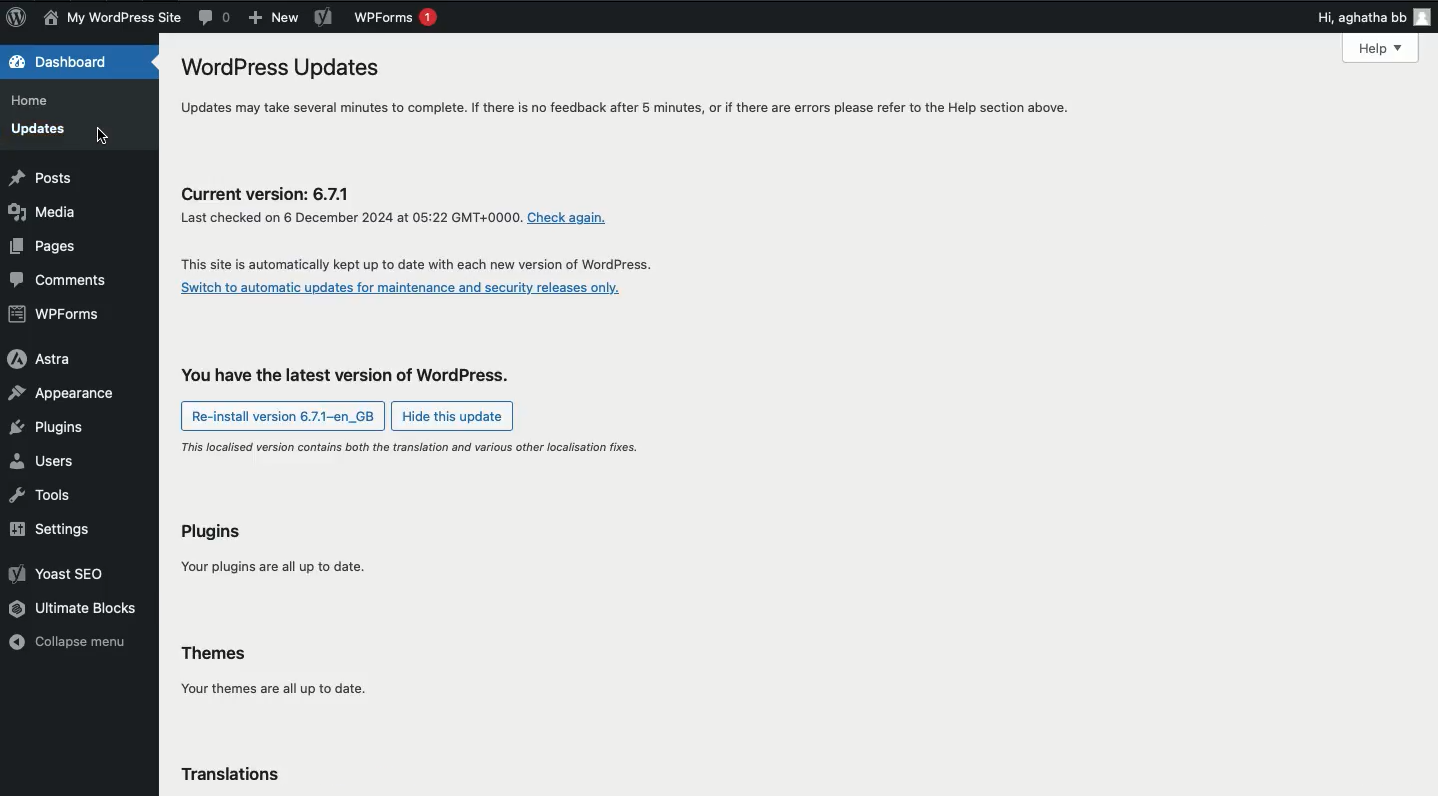 This screenshot has height=796, width=1438. I want to click on Yoast, so click(63, 576).